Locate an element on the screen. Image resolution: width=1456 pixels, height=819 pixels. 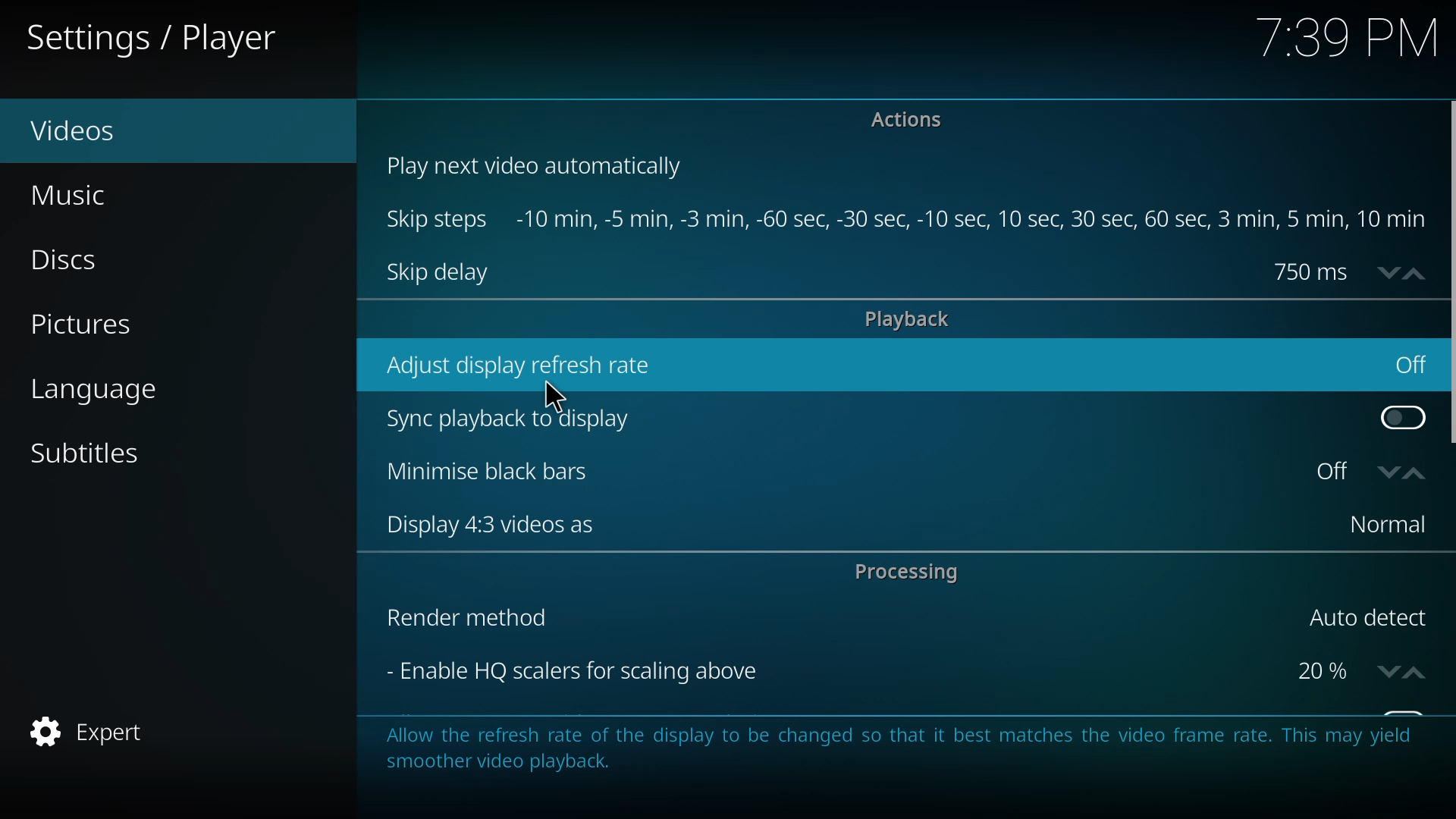
cursor is located at coordinates (557, 394).